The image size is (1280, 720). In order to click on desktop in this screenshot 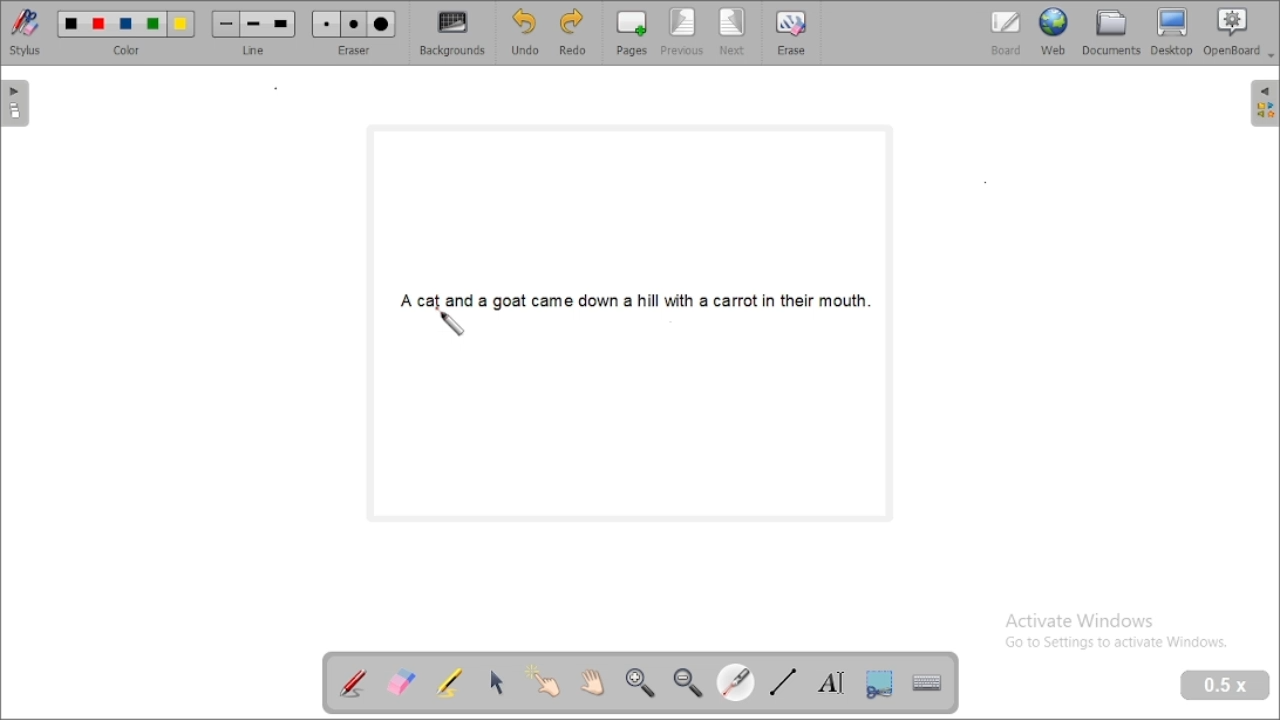, I will do `click(1172, 32)`.